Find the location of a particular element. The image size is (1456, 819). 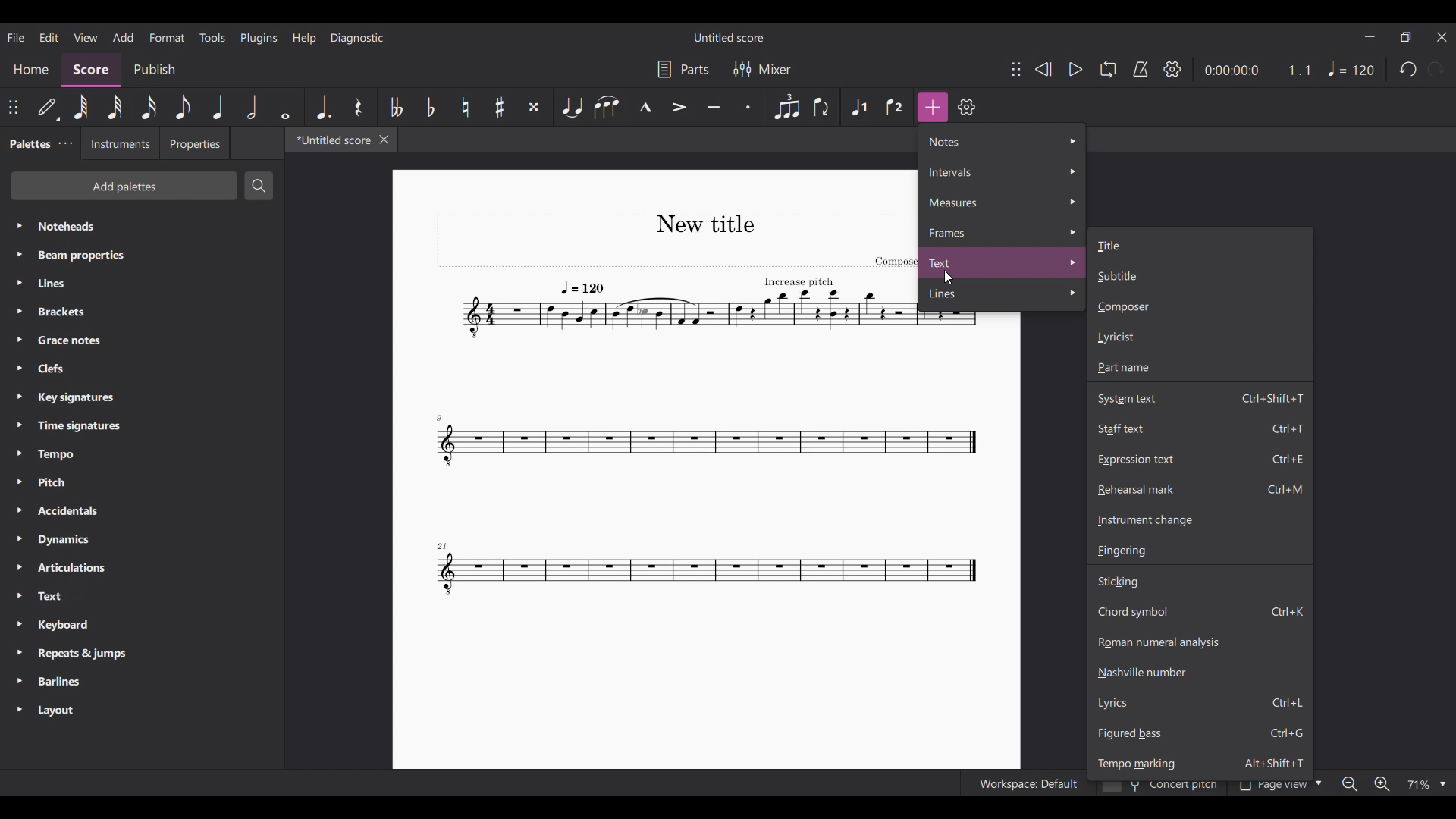

Keyboard is located at coordinates (142, 625).